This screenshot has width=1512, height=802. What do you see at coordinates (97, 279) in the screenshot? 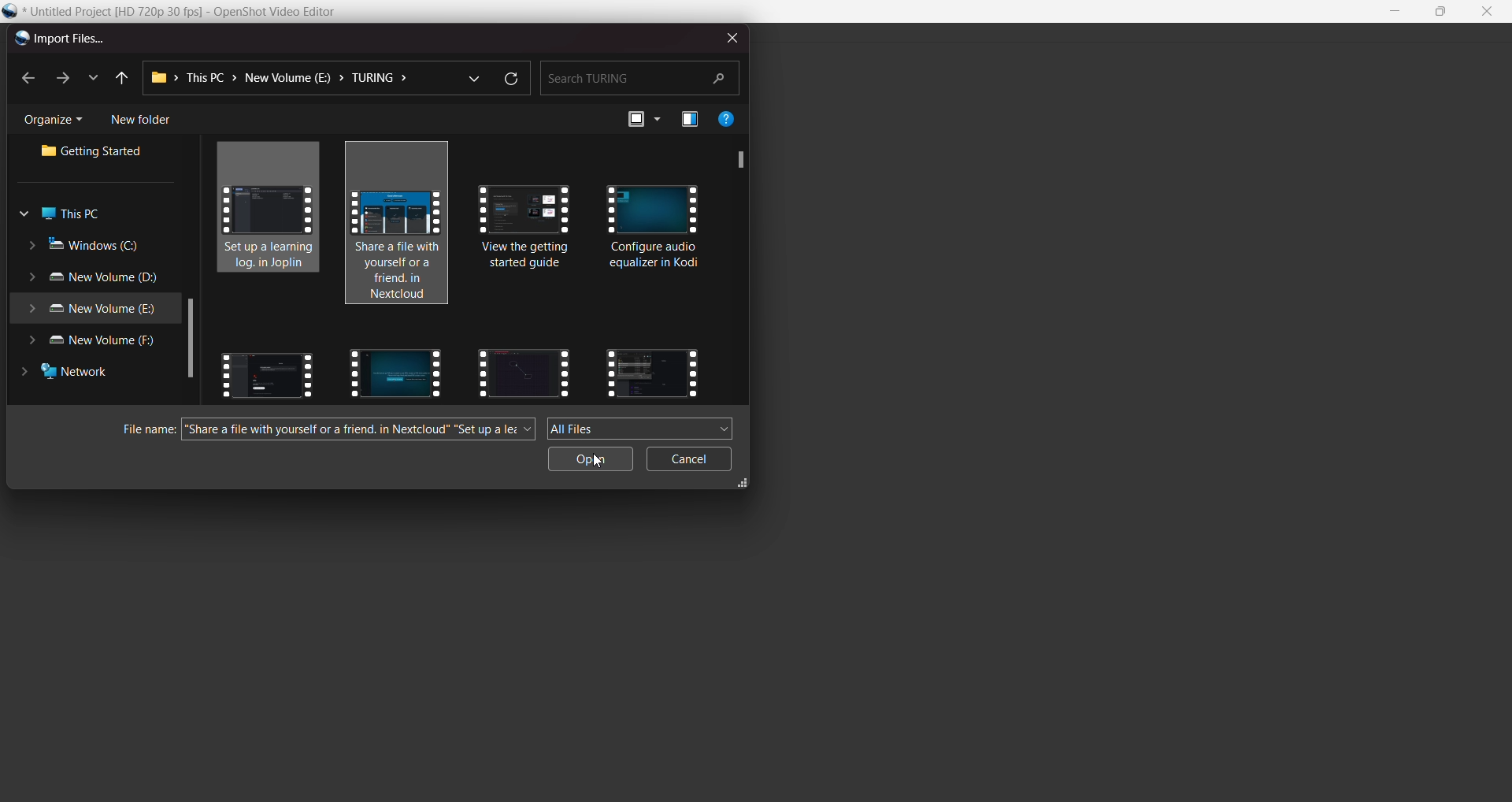
I see `new volume d` at bounding box center [97, 279].